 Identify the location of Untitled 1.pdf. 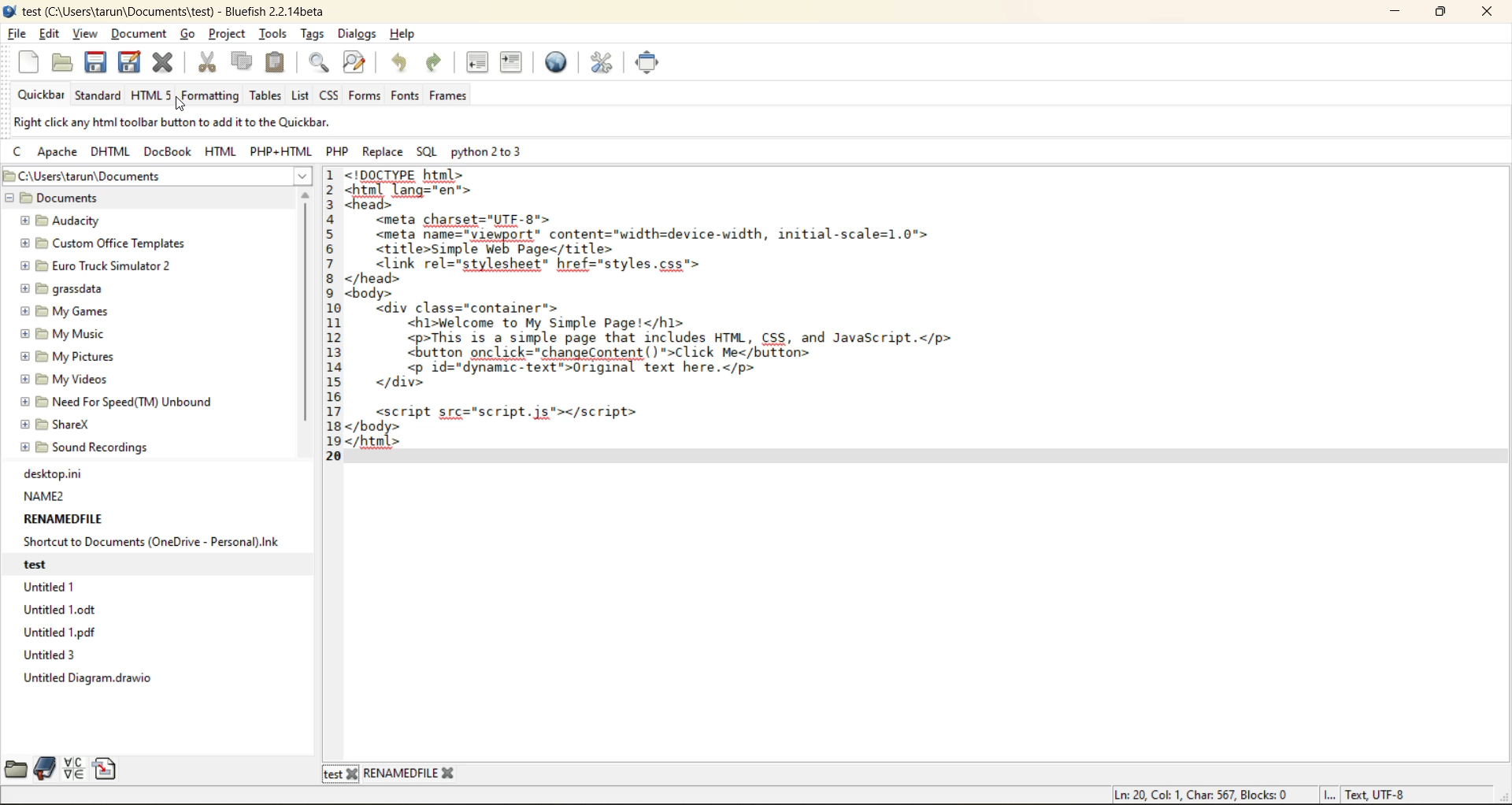
(55, 634).